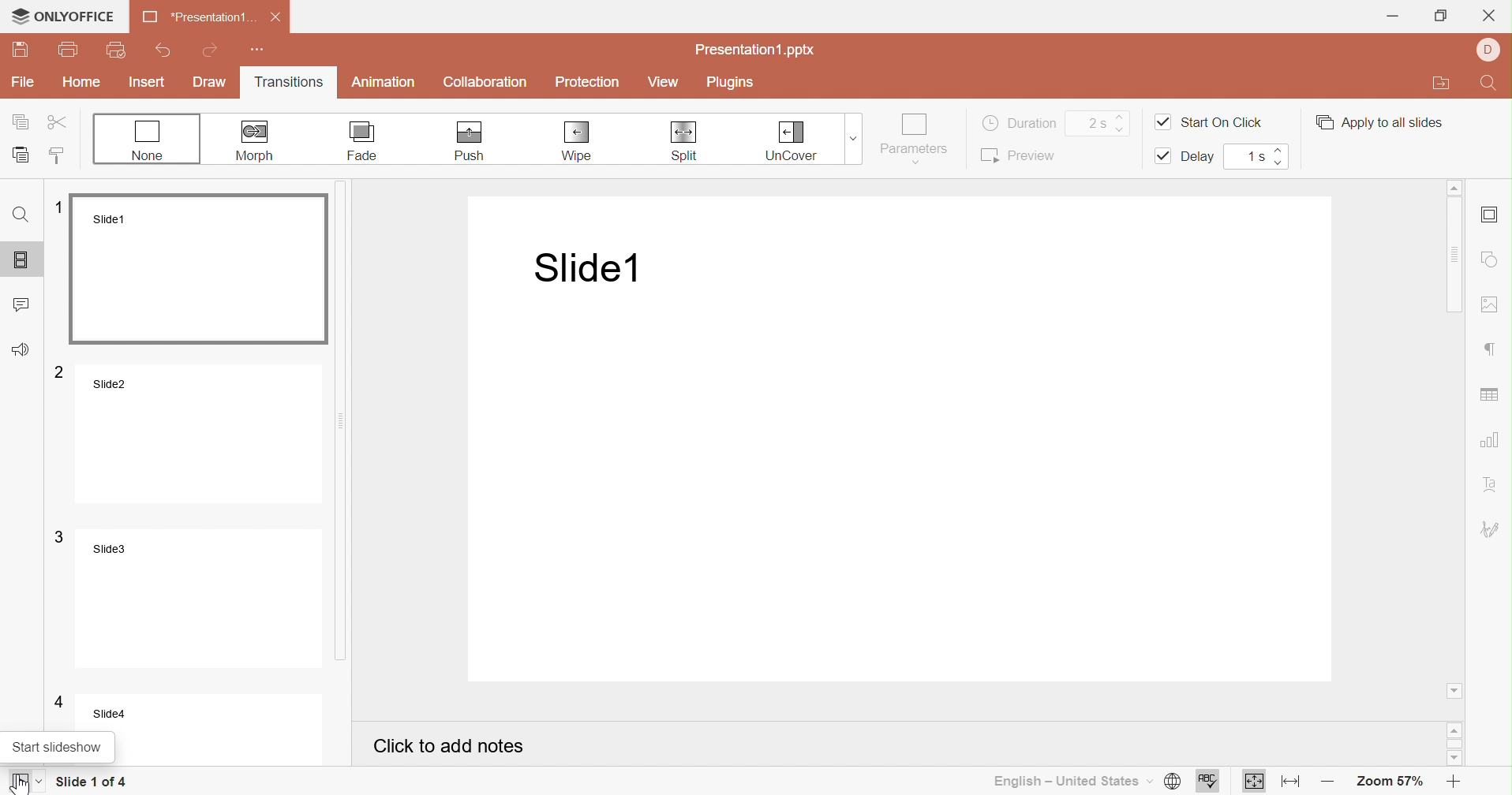 The image size is (1512, 795). What do you see at coordinates (93, 781) in the screenshot?
I see `Slide 1 of 4` at bounding box center [93, 781].